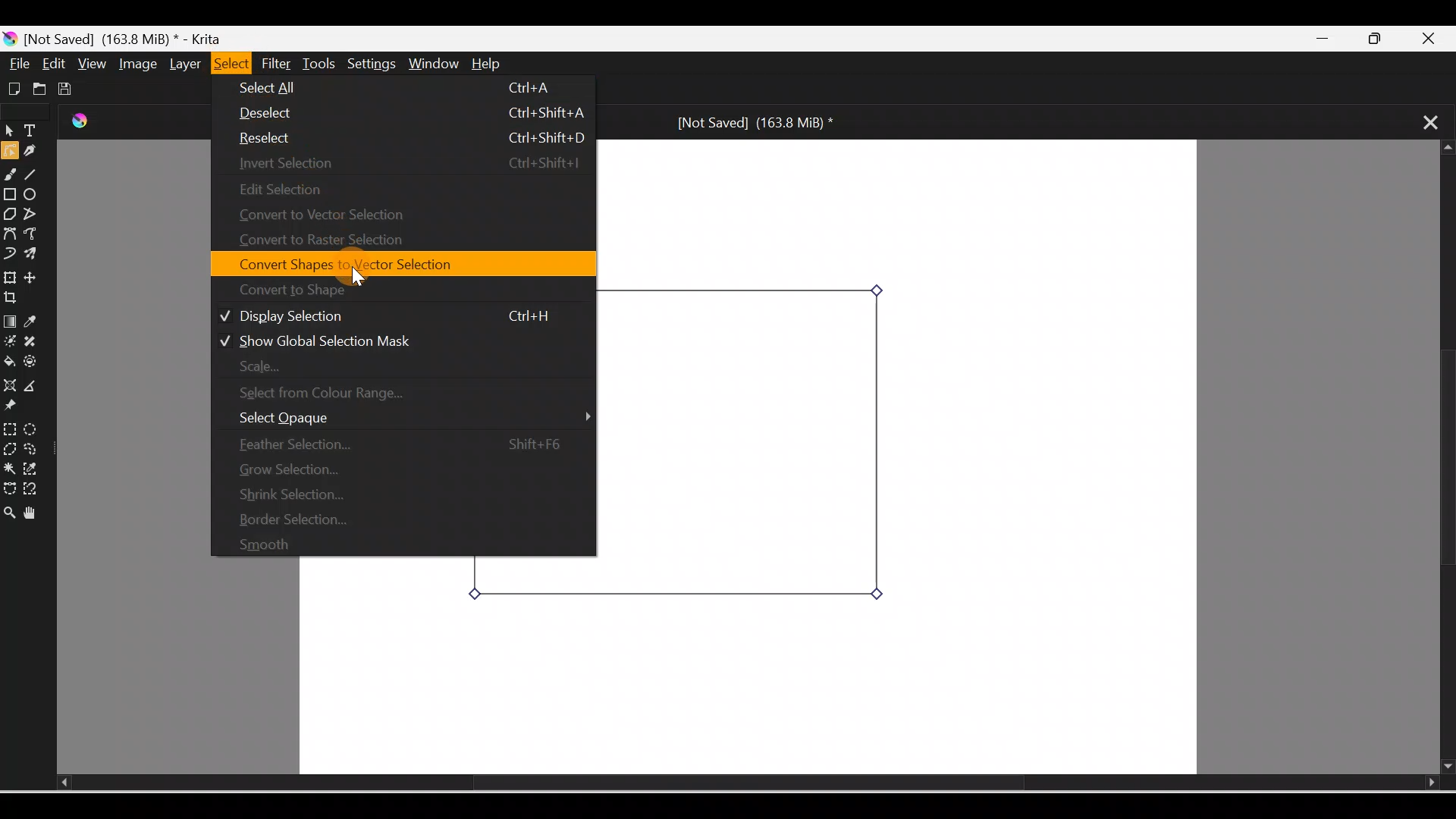  What do you see at coordinates (227, 63) in the screenshot?
I see `Select` at bounding box center [227, 63].